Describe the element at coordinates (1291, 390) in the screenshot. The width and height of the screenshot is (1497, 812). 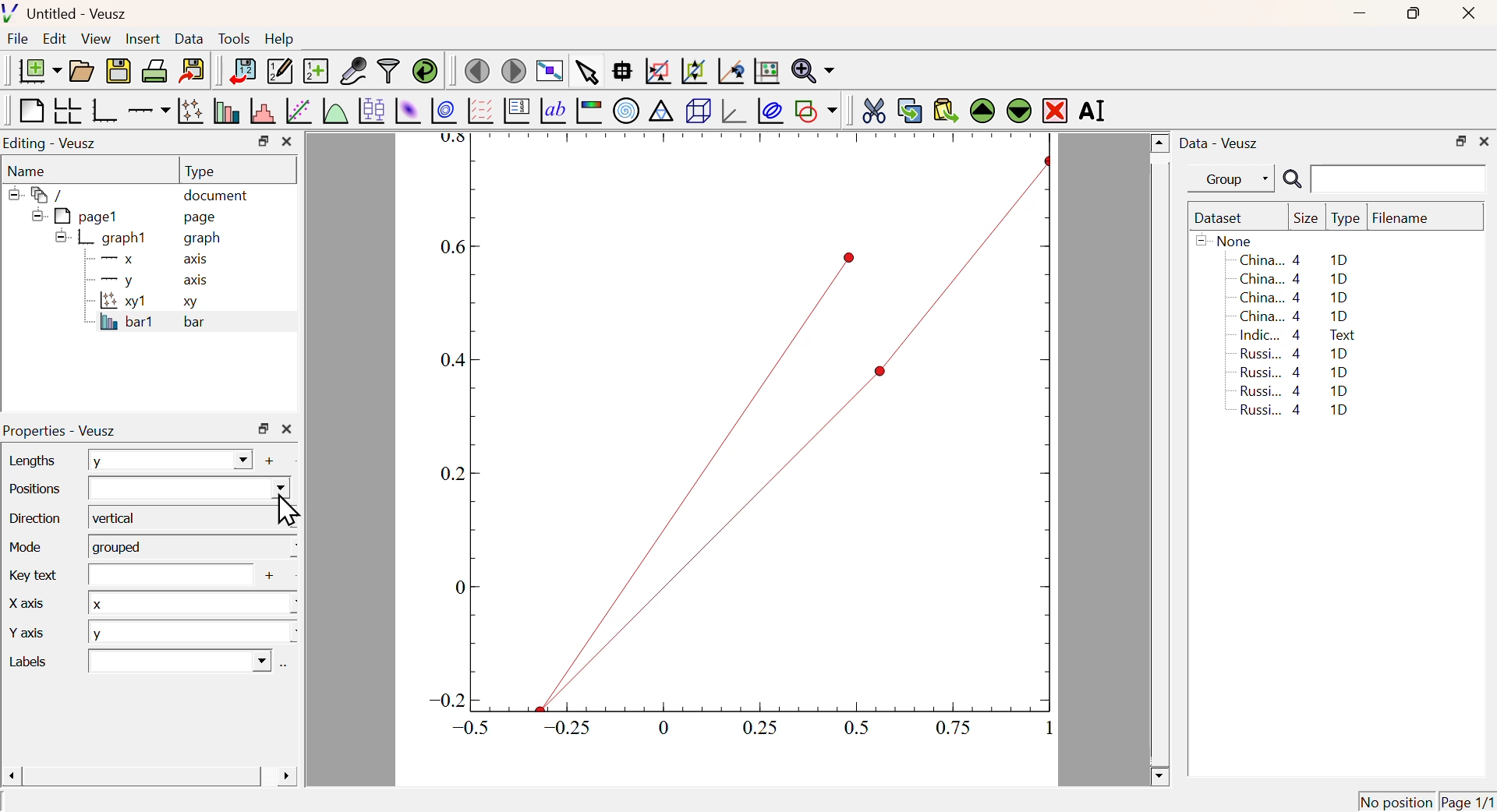
I see `Russi... 4 1D` at that location.